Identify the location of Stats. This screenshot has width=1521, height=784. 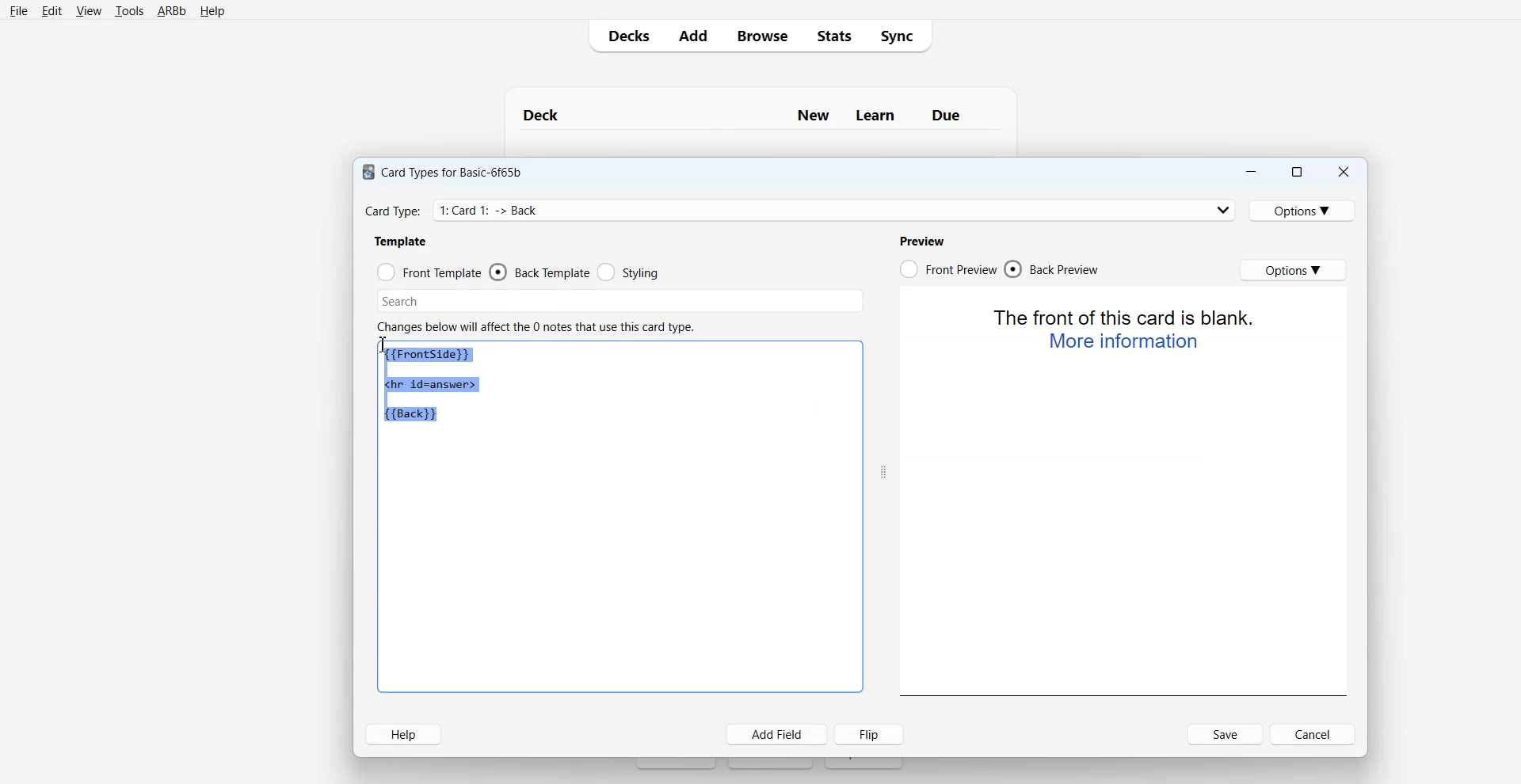
(831, 36).